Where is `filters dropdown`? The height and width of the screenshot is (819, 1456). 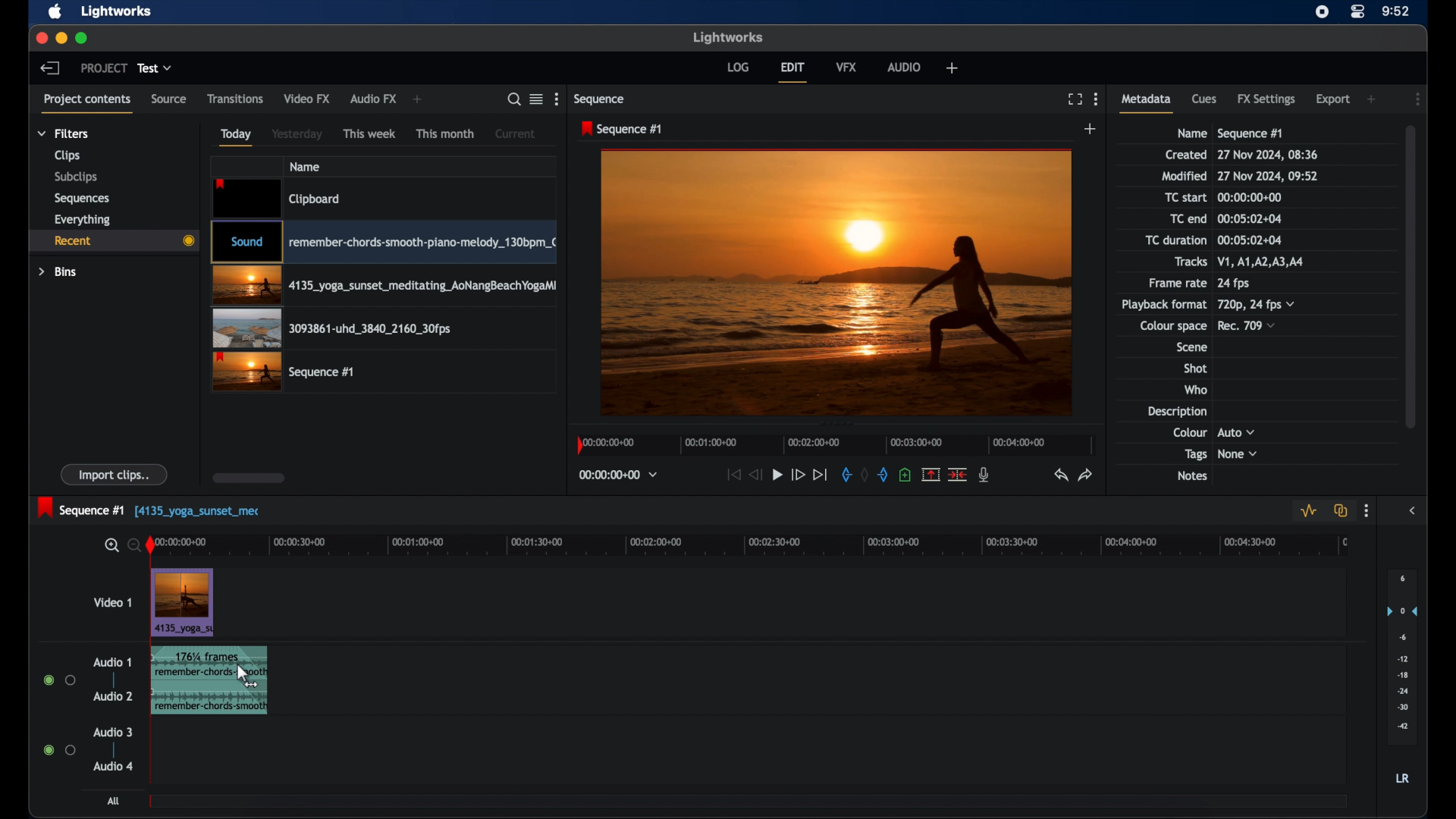
filters dropdown is located at coordinates (63, 133).